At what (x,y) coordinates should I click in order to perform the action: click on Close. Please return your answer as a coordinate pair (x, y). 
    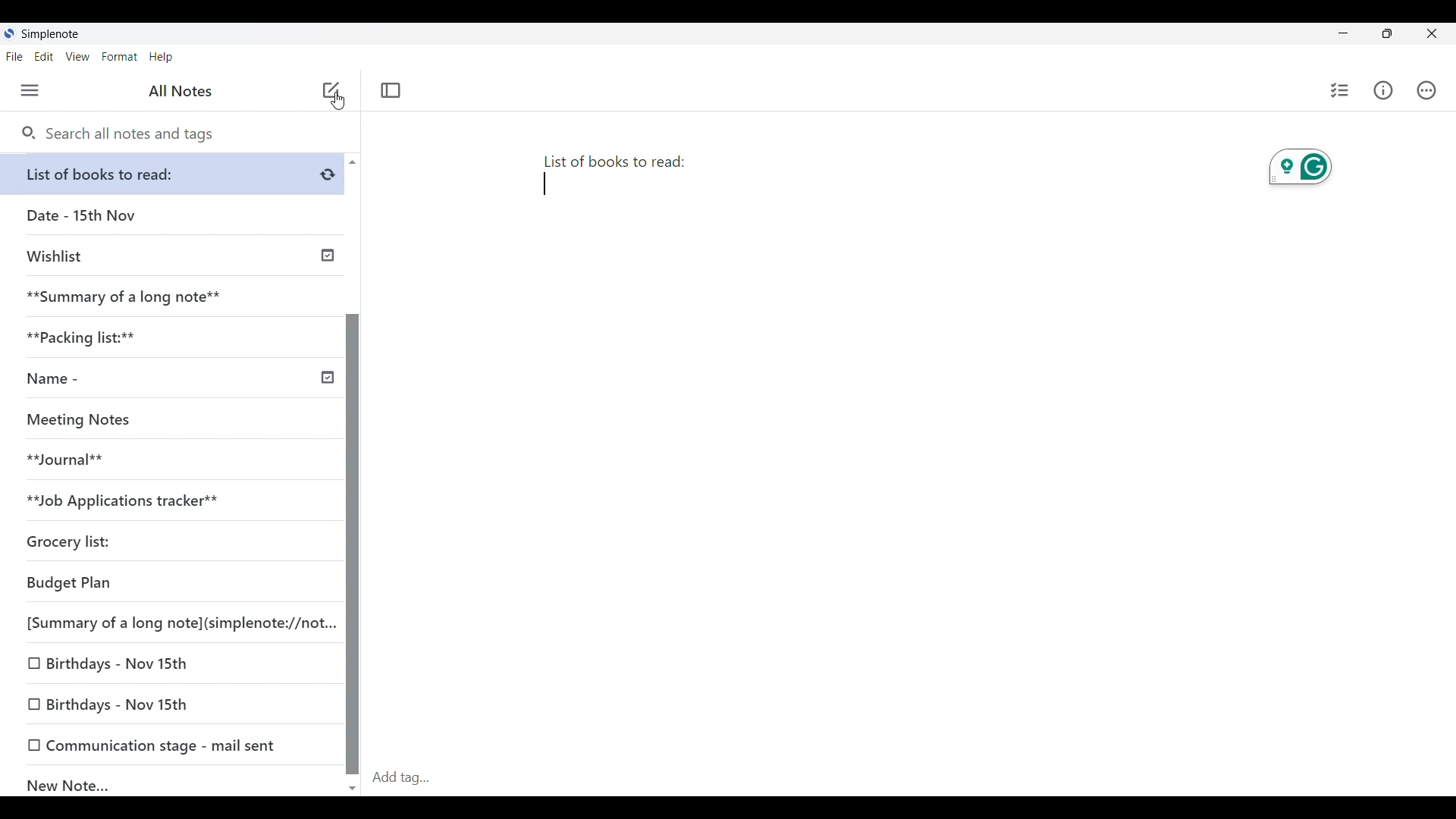
    Looking at the image, I should click on (1432, 34).